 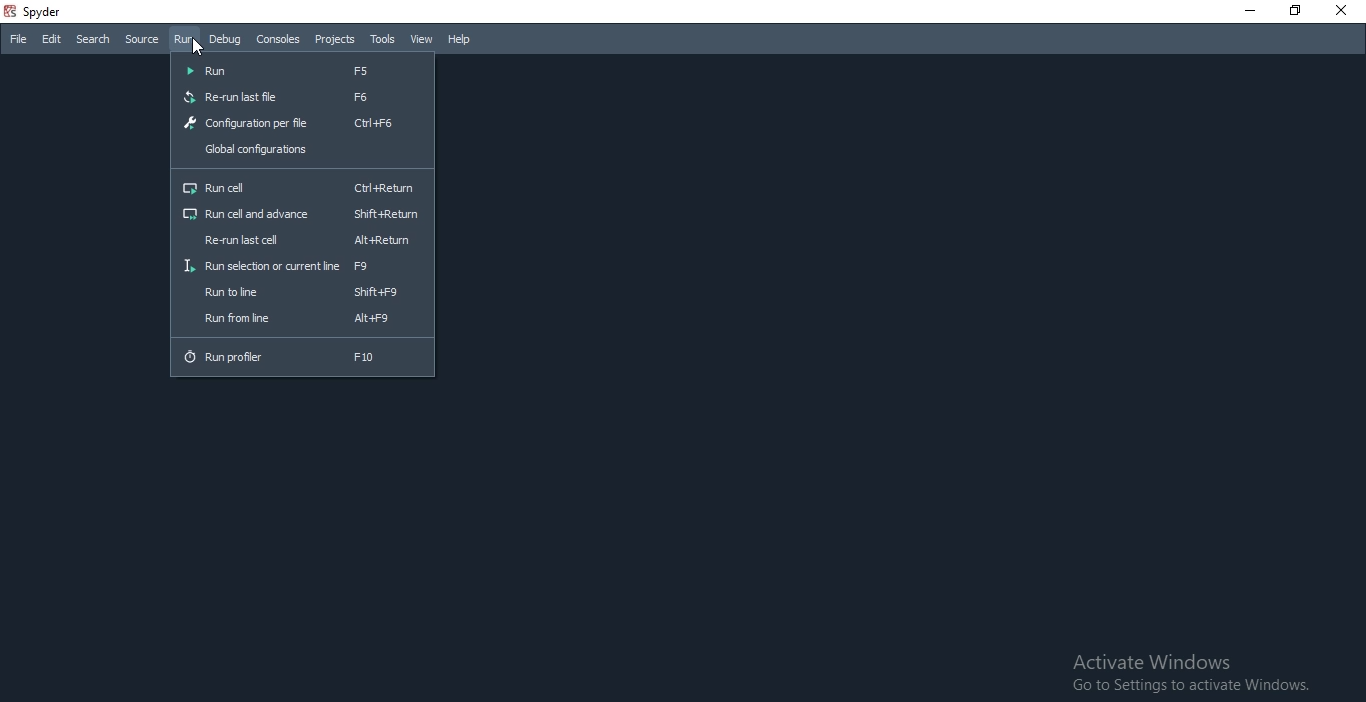 What do you see at coordinates (1293, 11) in the screenshot?
I see `Restore` at bounding box center [1293, 11].